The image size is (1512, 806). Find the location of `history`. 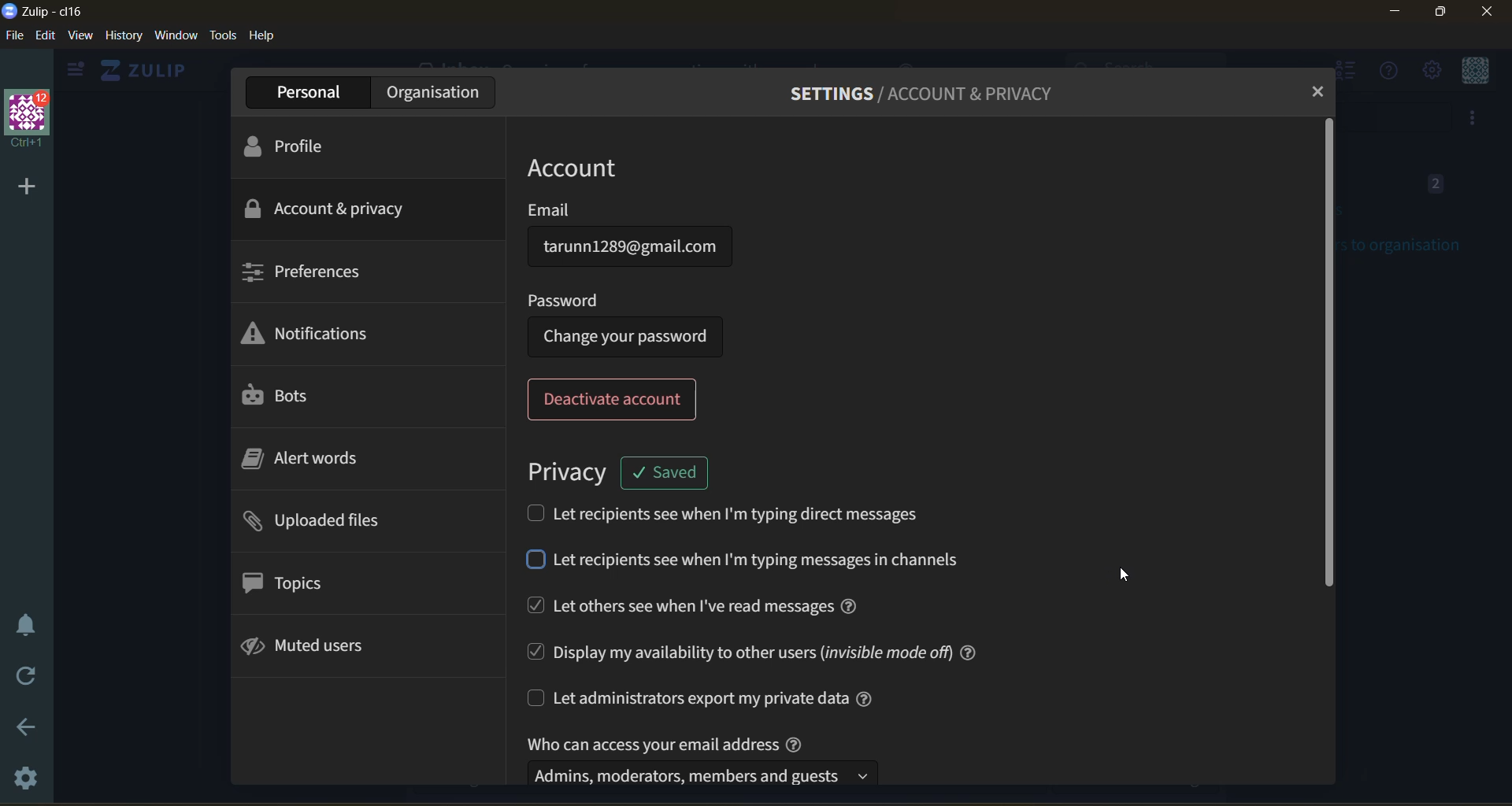

history is located at coordinates (124, 38).